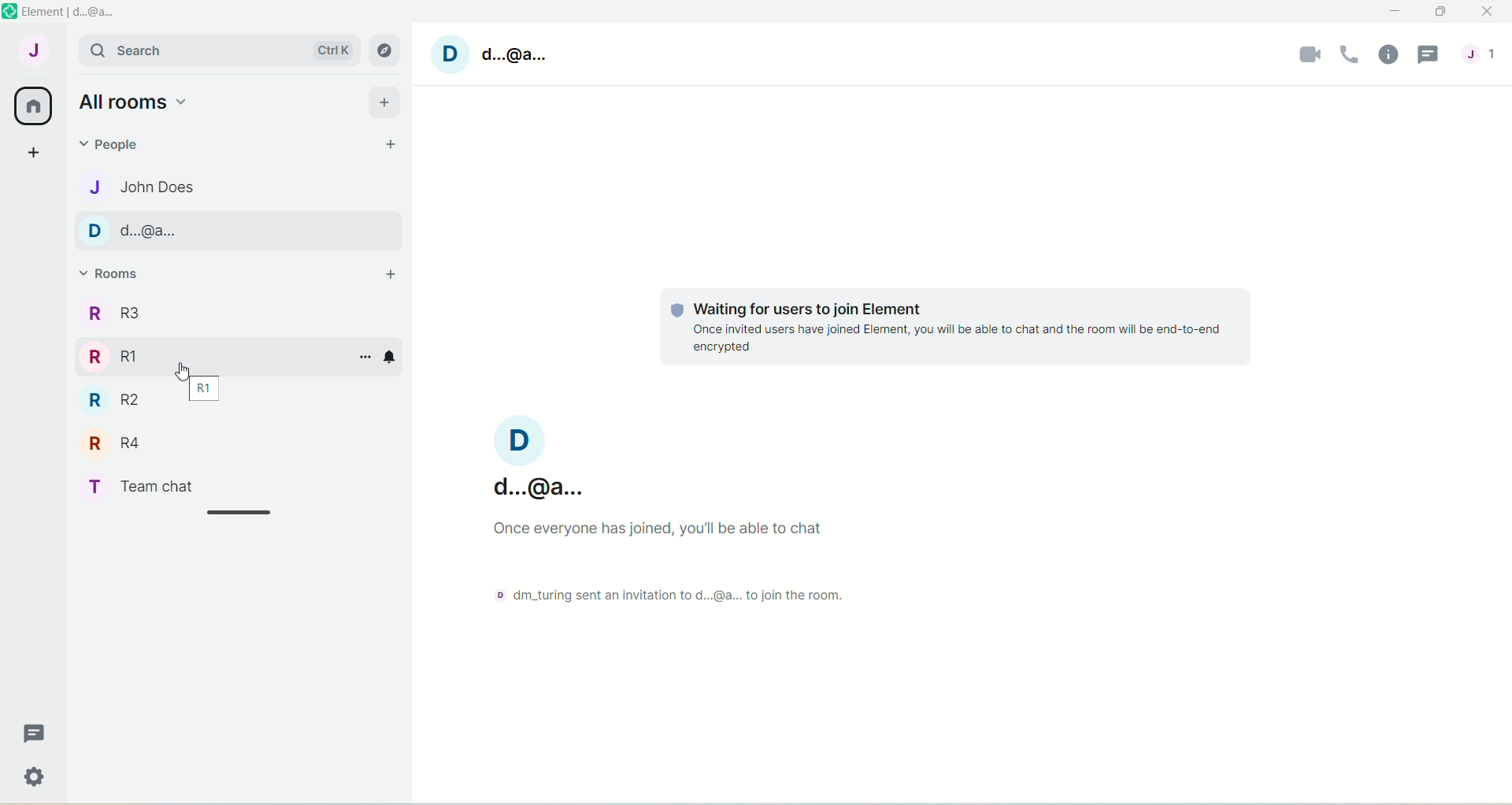 The image size is (1512, 805). What do you see at coordinates (34, 53) in the screenshot?
I see `account J` at bounding box center [34, 53].